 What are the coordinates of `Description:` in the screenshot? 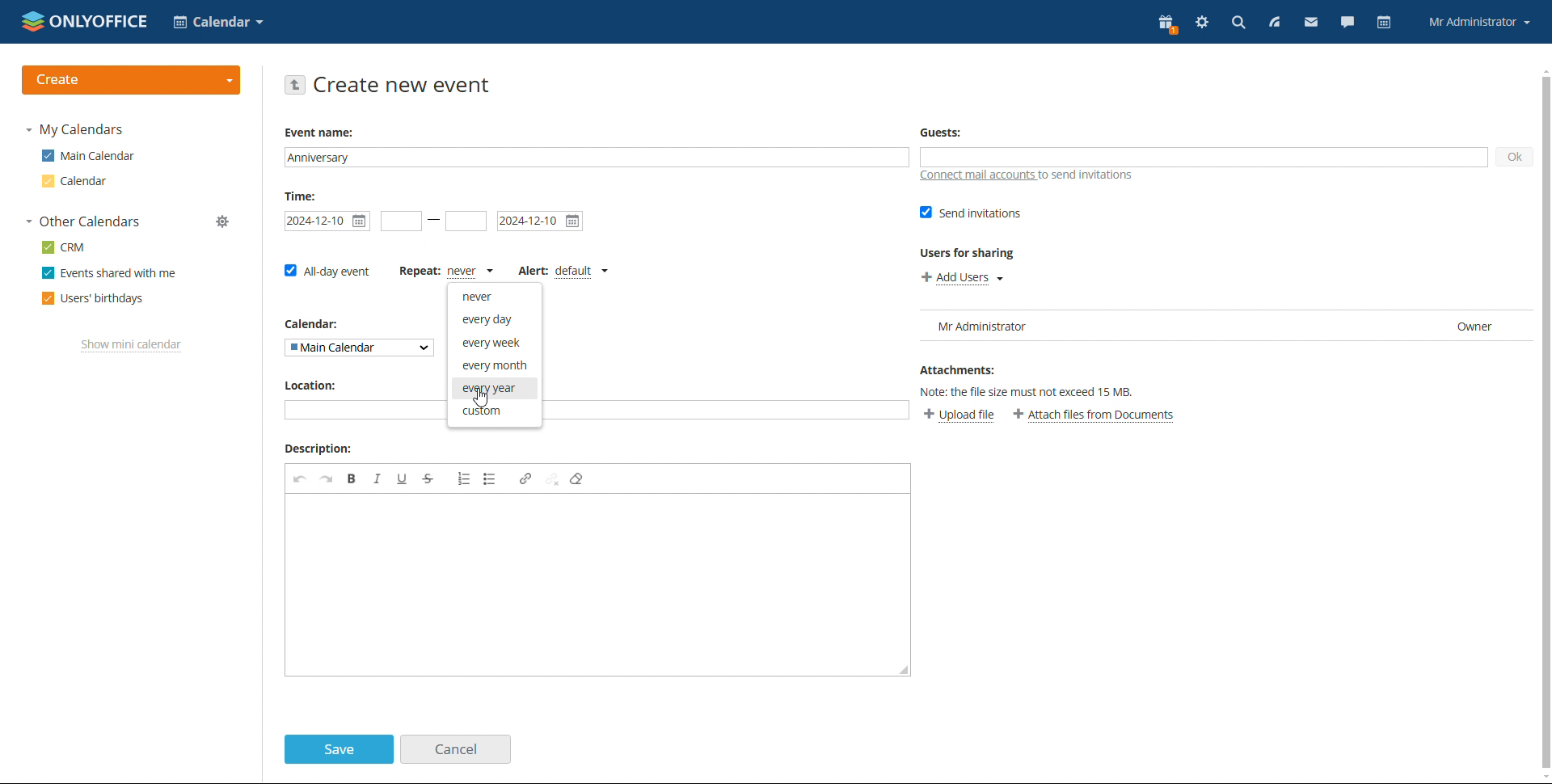 It's located at (319, 448).